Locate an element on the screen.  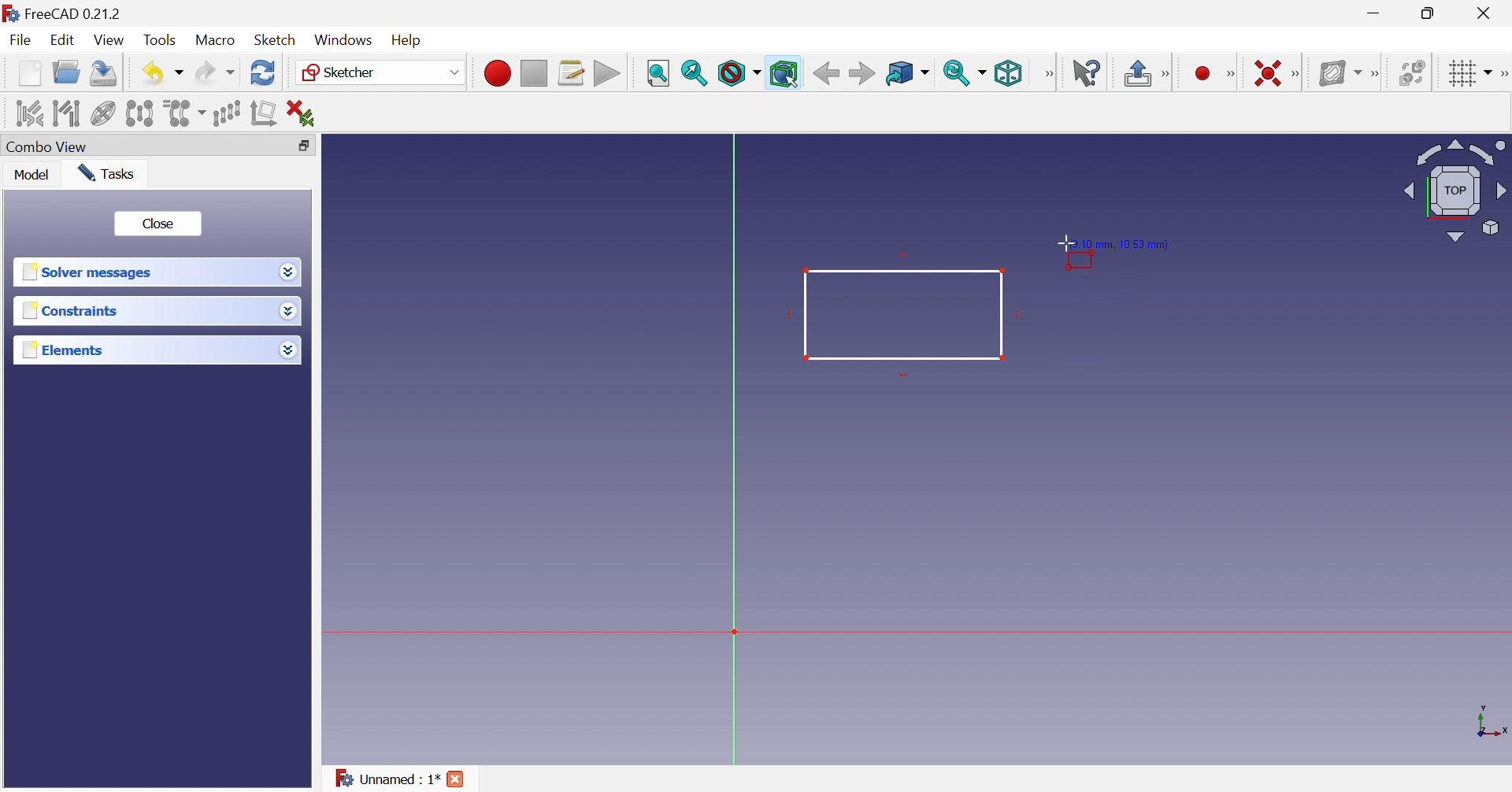
Stop macro recording is located at coordinates (534, 72).